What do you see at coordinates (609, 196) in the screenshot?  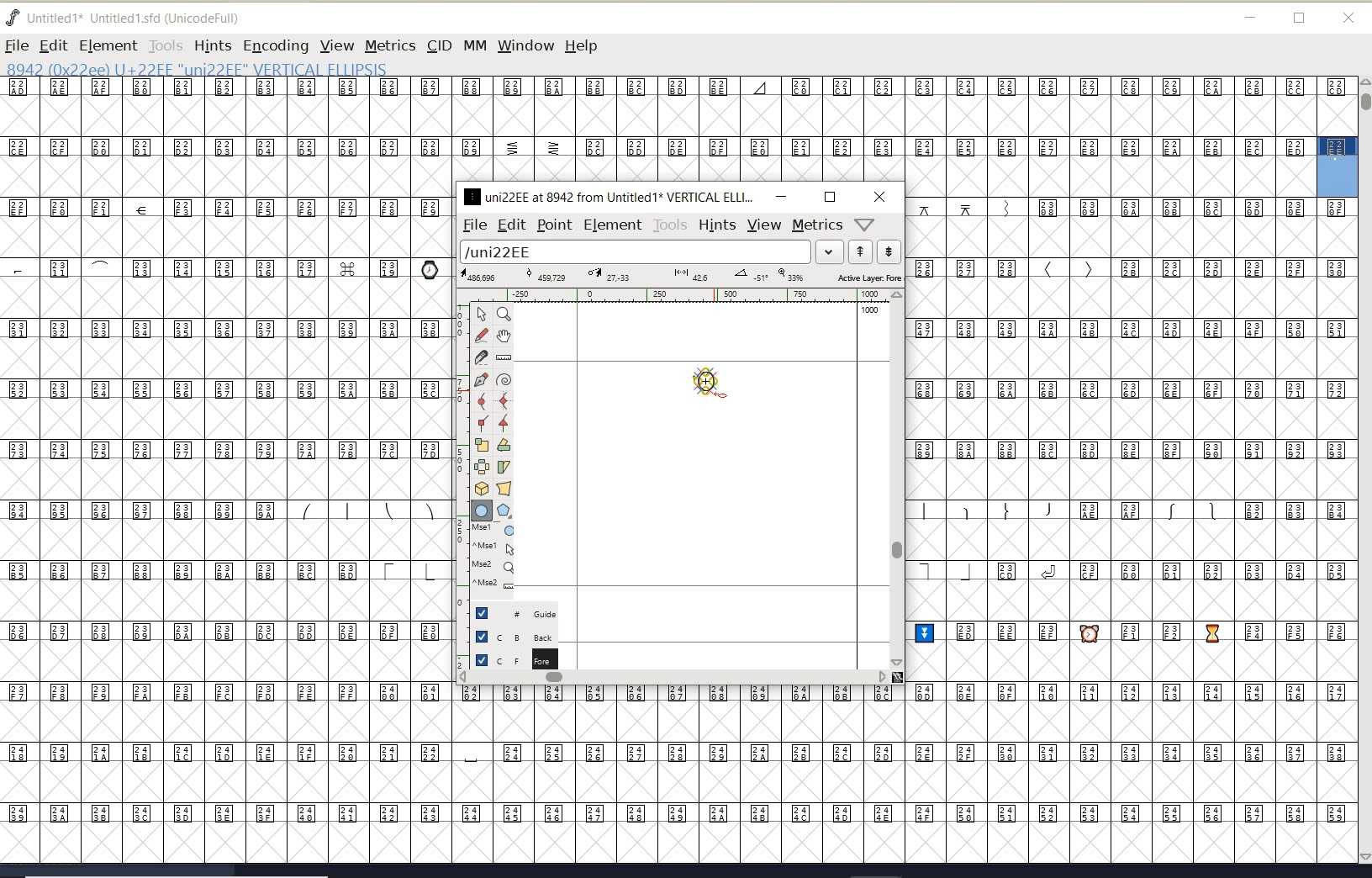 I see `uni22EE at 8942 from Untitled1 VERTICAL ELLIPSE` at bounding box center [609, 196].